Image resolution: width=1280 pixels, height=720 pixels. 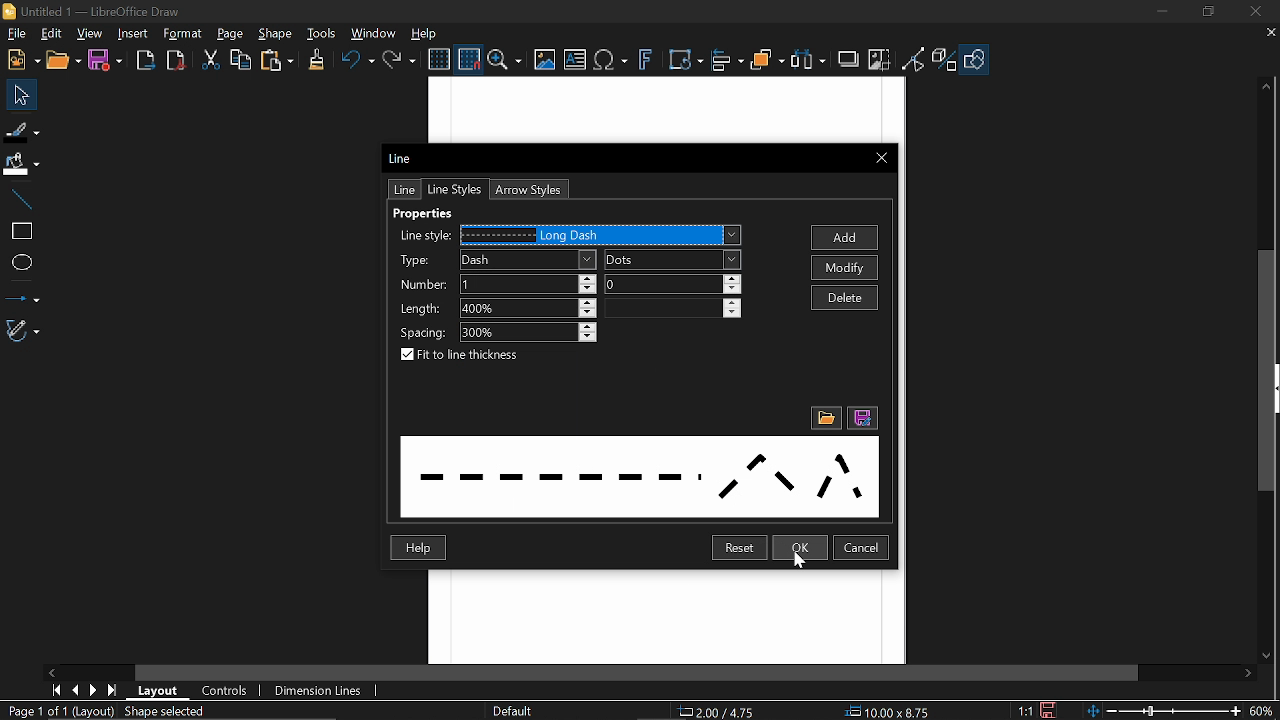 What do you see at coordinates (809, 60) in the screenshot?
I see `Select at least three objects to distribute` at bounding box center [809, 60].